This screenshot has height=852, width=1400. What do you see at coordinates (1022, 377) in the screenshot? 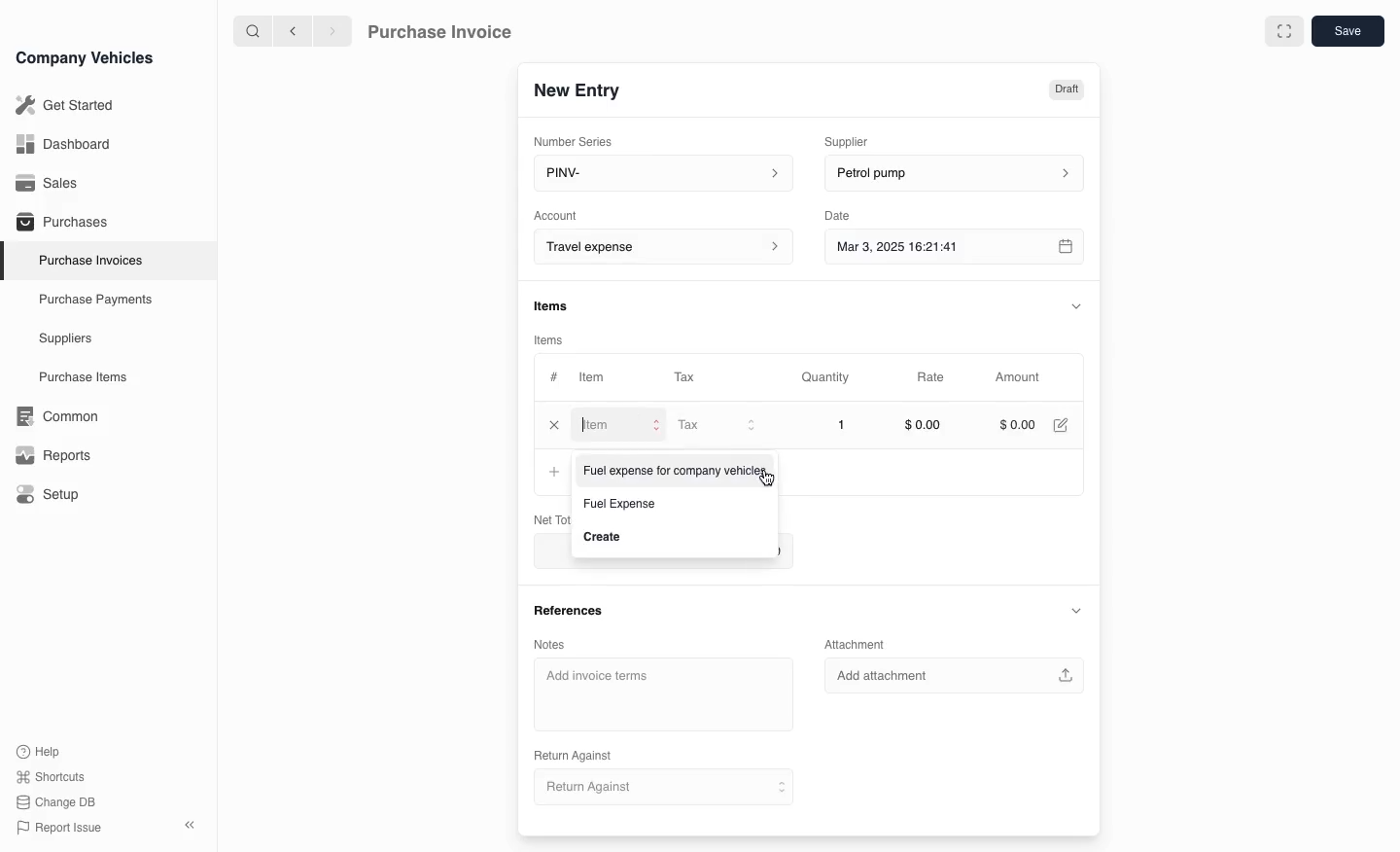
I see `Amount` at bounding box center [1022, 377].